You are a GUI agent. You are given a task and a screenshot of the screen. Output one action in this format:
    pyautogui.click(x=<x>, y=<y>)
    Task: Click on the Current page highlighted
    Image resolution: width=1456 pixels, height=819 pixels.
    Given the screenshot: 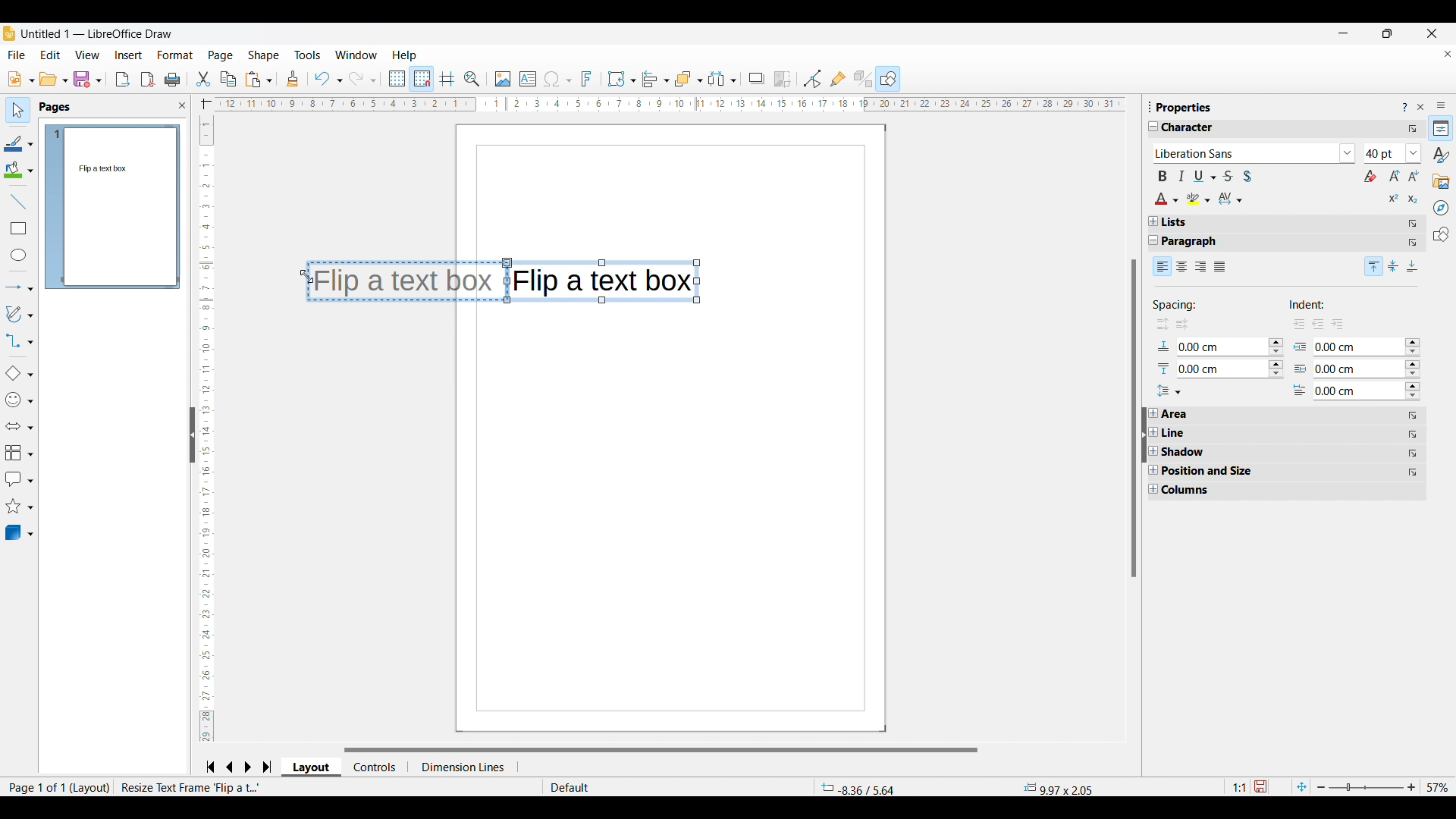 What is the action you would take?
    pyautogui.click(x=54, y=207)
    